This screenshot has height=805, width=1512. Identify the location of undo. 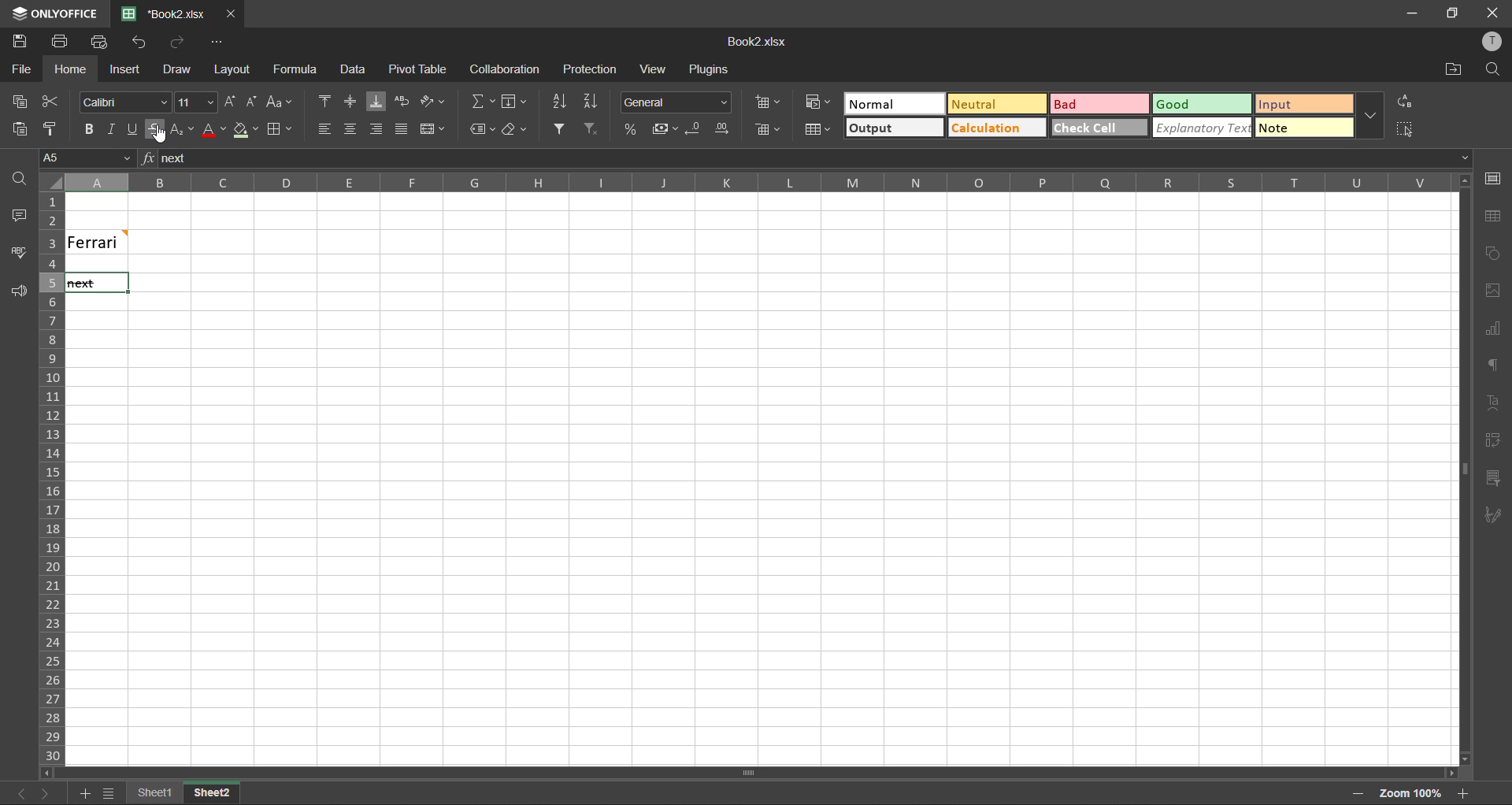
(141, 43).